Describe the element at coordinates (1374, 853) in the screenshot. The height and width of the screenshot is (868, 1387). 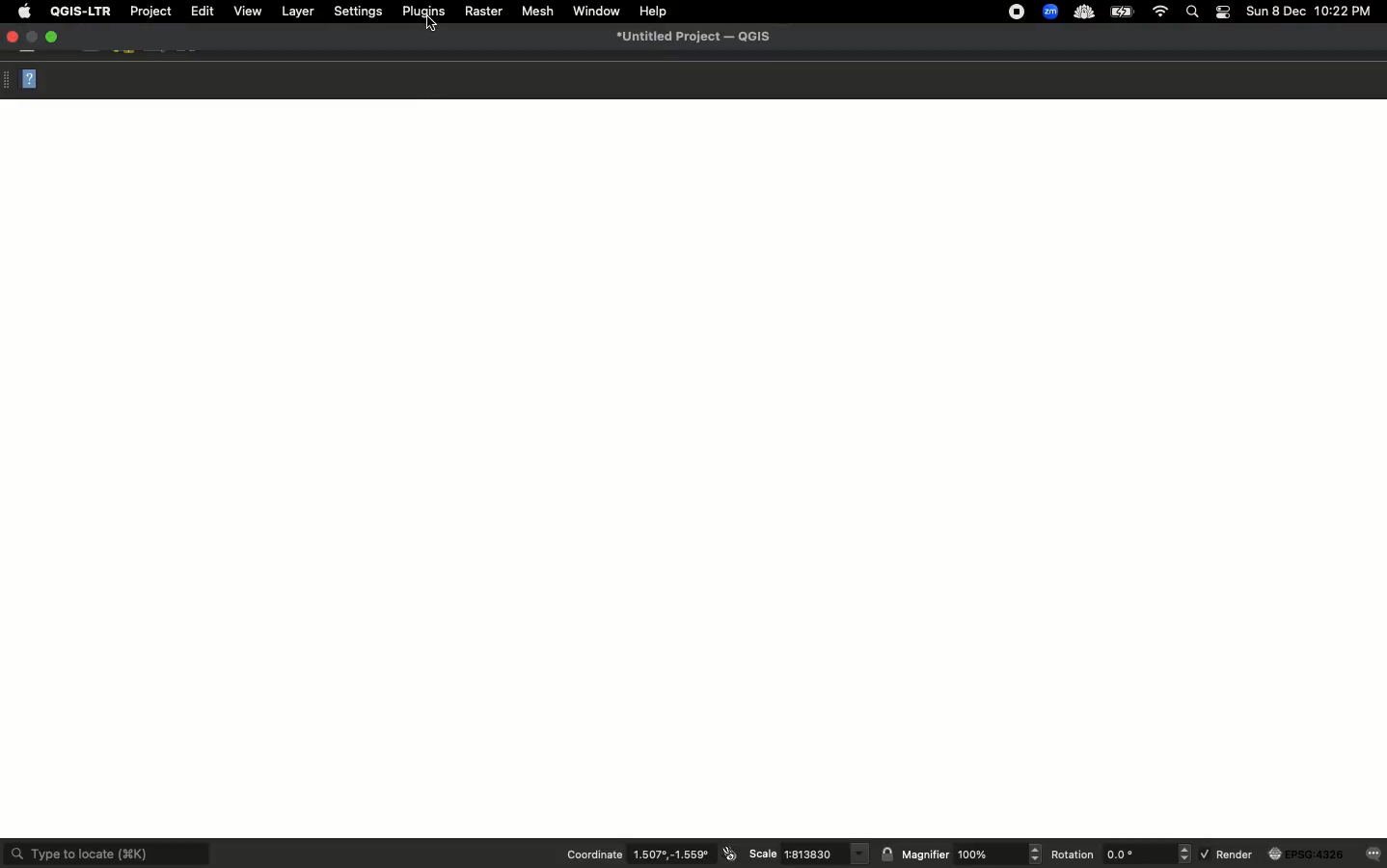
I see `messages` at that location.